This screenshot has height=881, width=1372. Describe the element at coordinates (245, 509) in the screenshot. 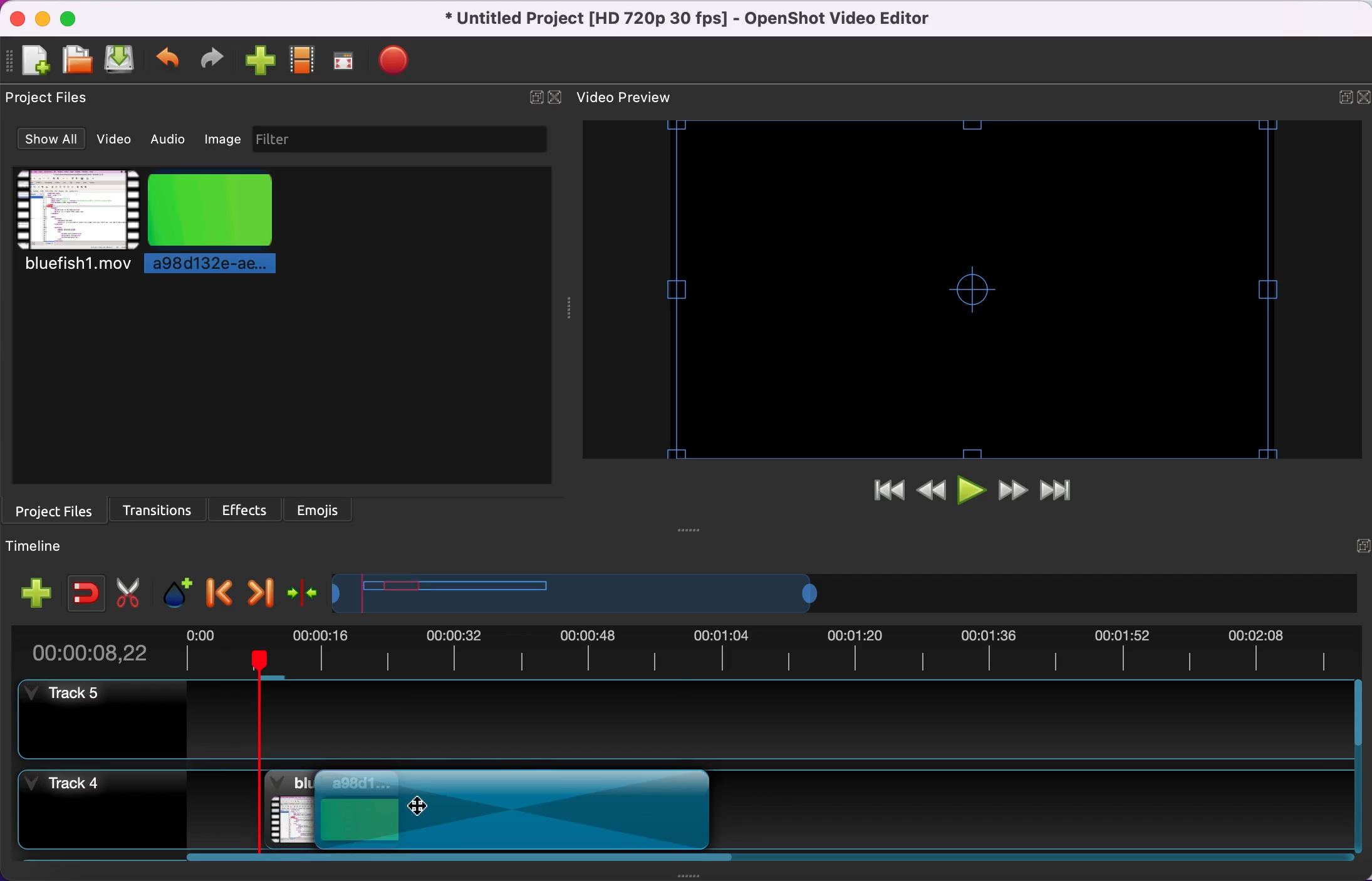

I see `effects` at that location.